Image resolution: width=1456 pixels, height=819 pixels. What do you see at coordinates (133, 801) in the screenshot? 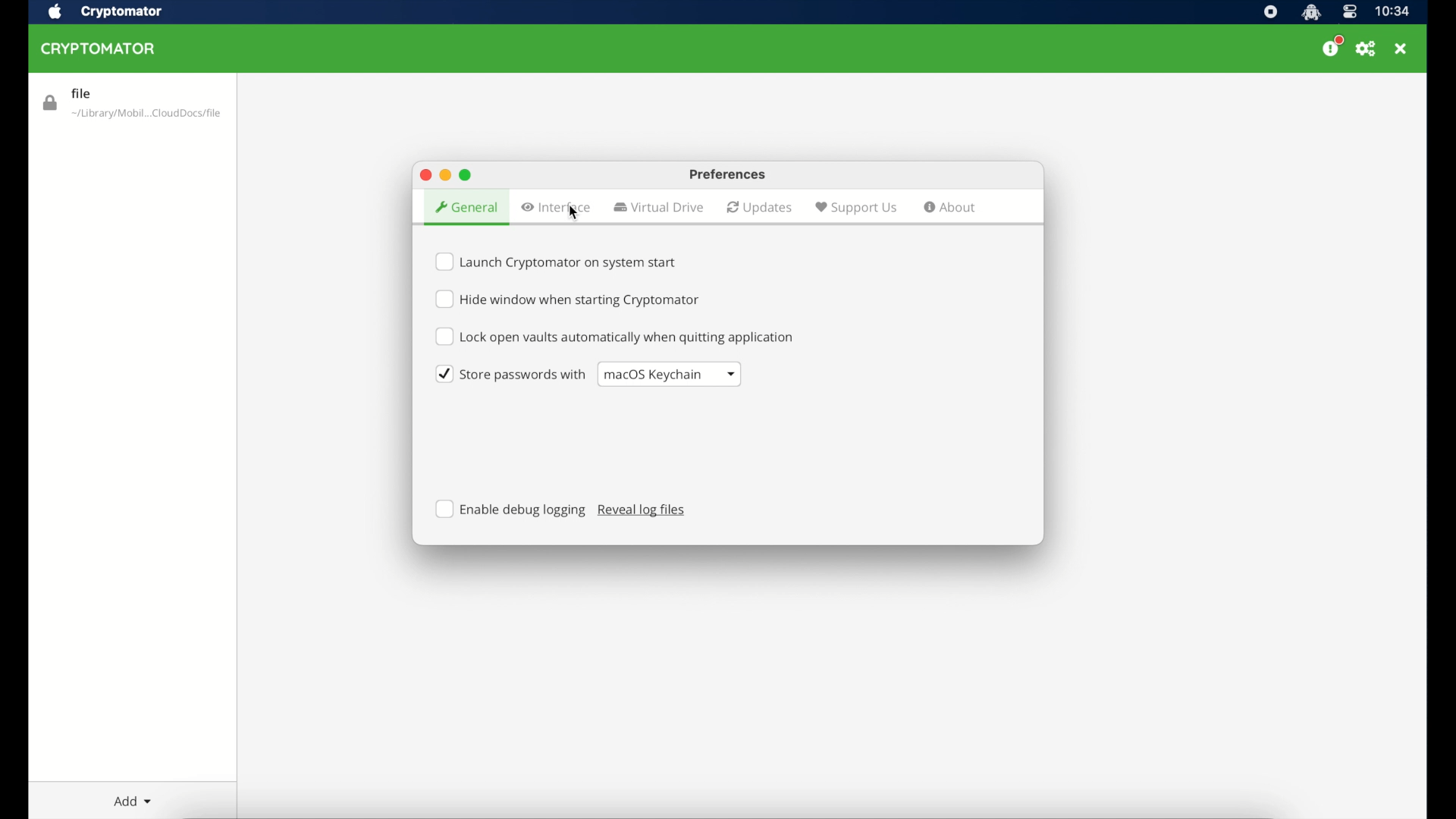
I see `add dropdown` at bounding box center [133, 801].